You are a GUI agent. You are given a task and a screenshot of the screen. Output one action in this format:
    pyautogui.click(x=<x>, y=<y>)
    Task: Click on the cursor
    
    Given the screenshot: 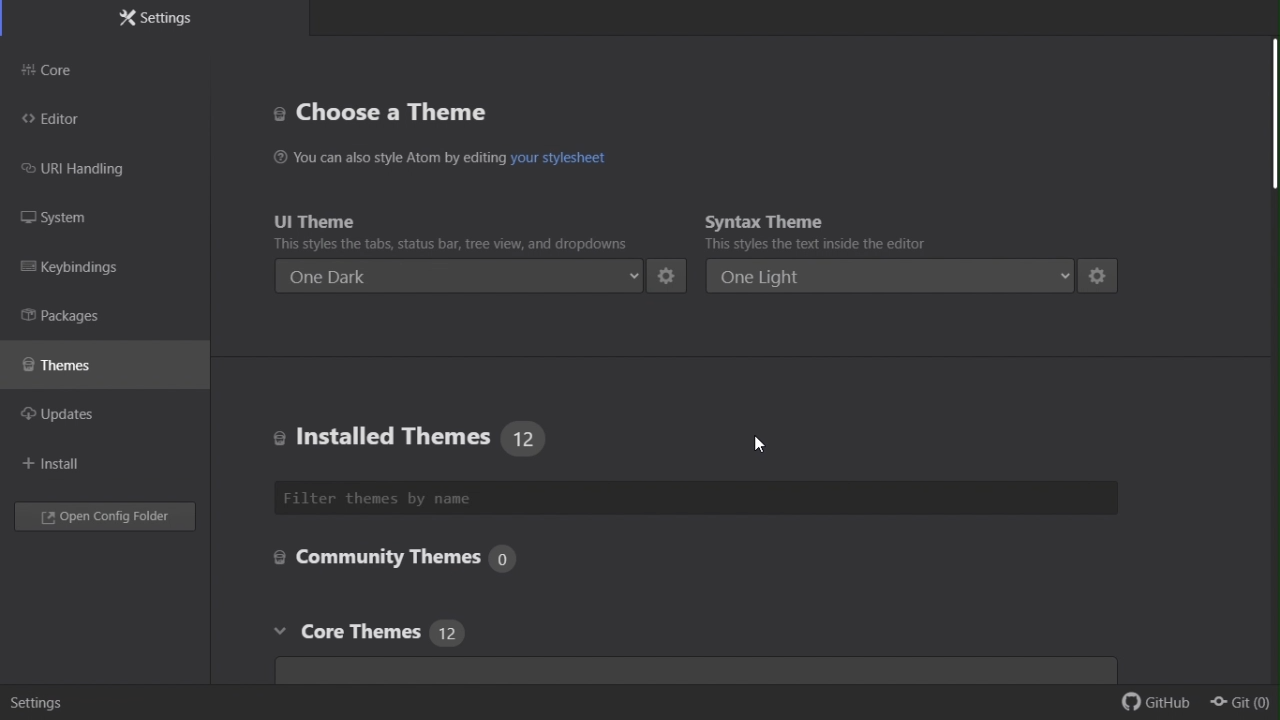 What is the action you would take?
    pyautogui.click(x=765, y=444)
    